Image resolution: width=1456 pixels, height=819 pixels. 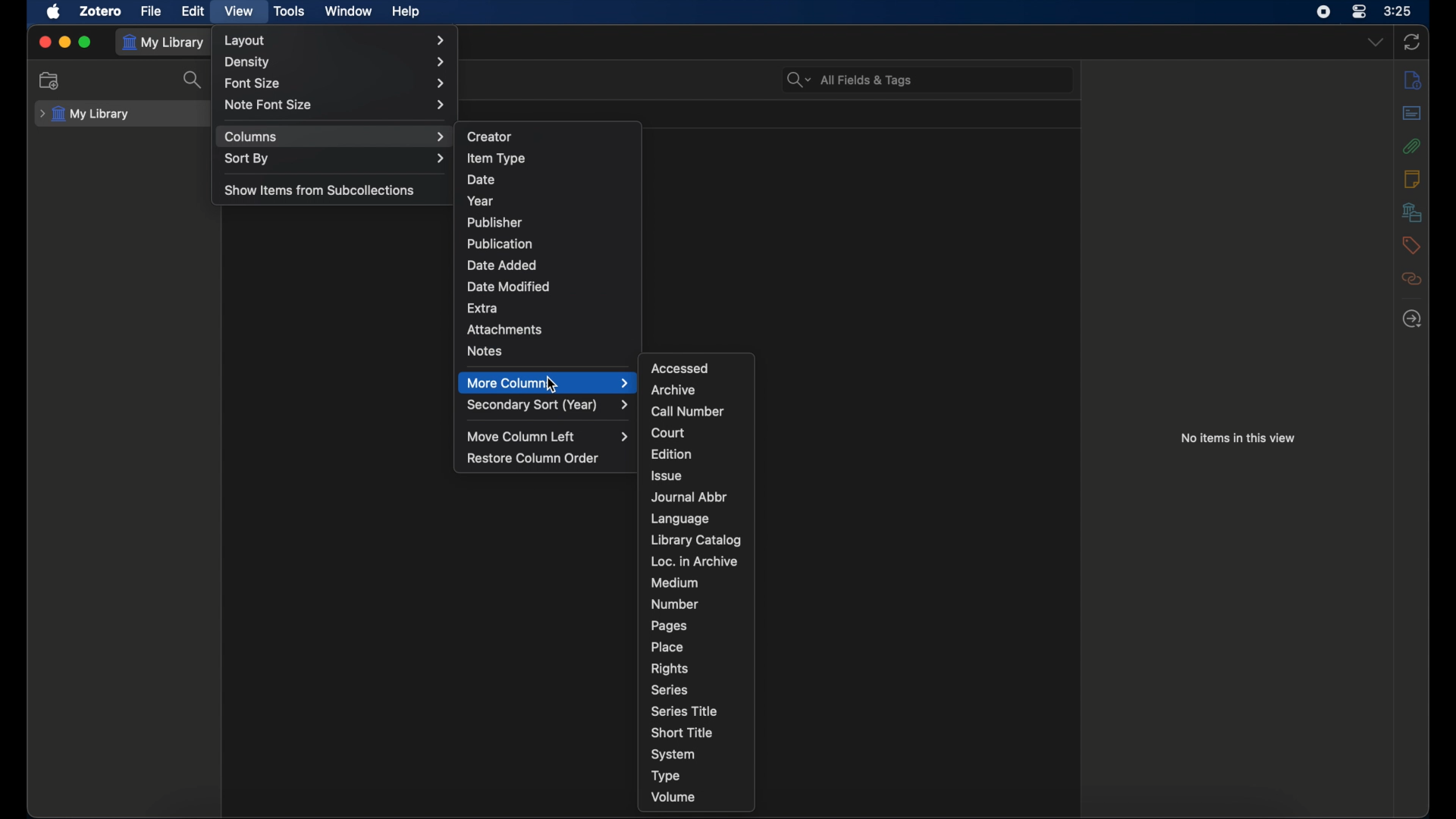 What do you see at coordinates (86, 42) in the screenshot?
I see `maximize` at bounding box center [86, 42].